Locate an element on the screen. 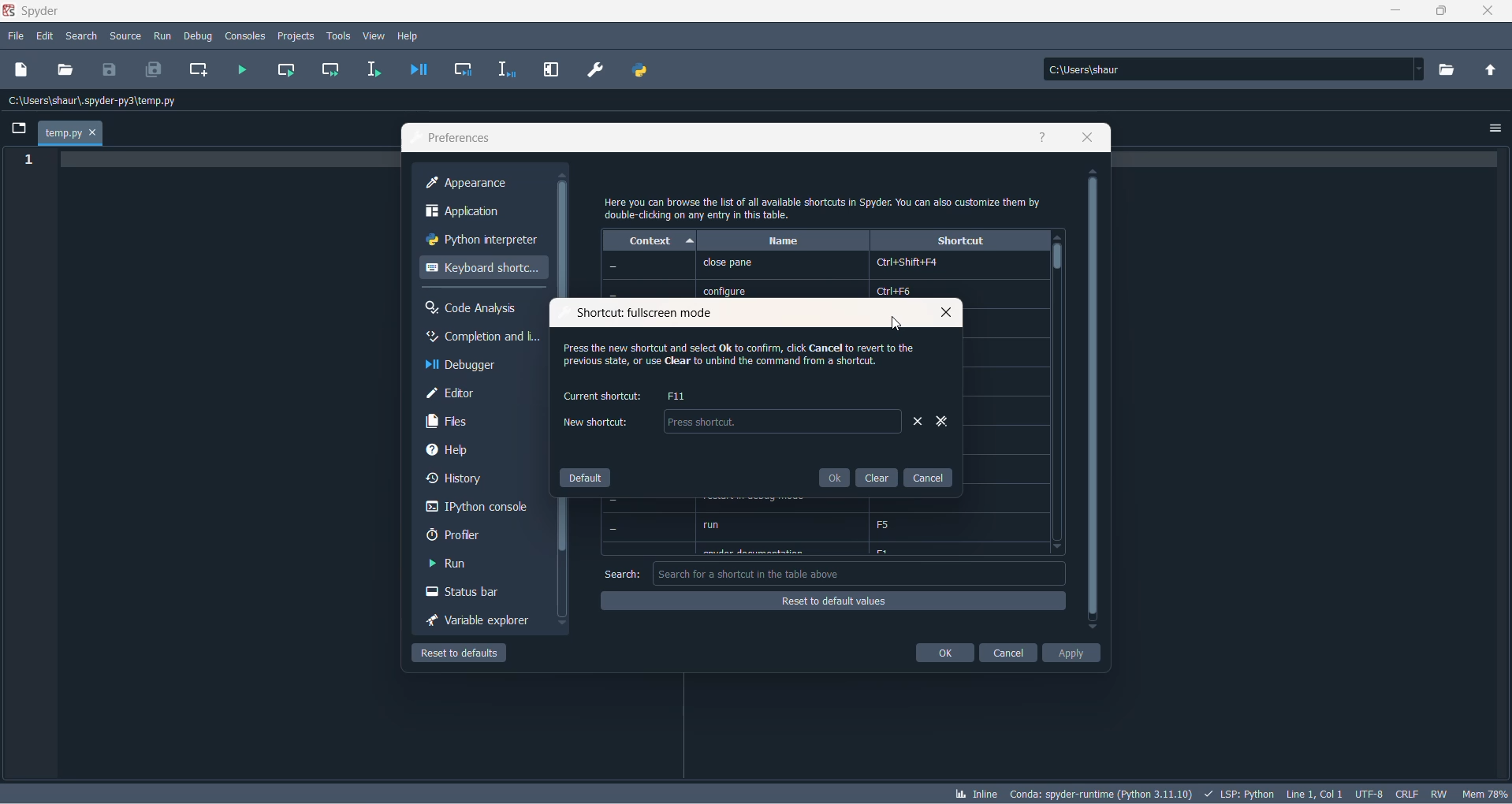 The height and width of the screenshot is (804, 1512). keyboard shortcut is located at coordinates (482, 269).